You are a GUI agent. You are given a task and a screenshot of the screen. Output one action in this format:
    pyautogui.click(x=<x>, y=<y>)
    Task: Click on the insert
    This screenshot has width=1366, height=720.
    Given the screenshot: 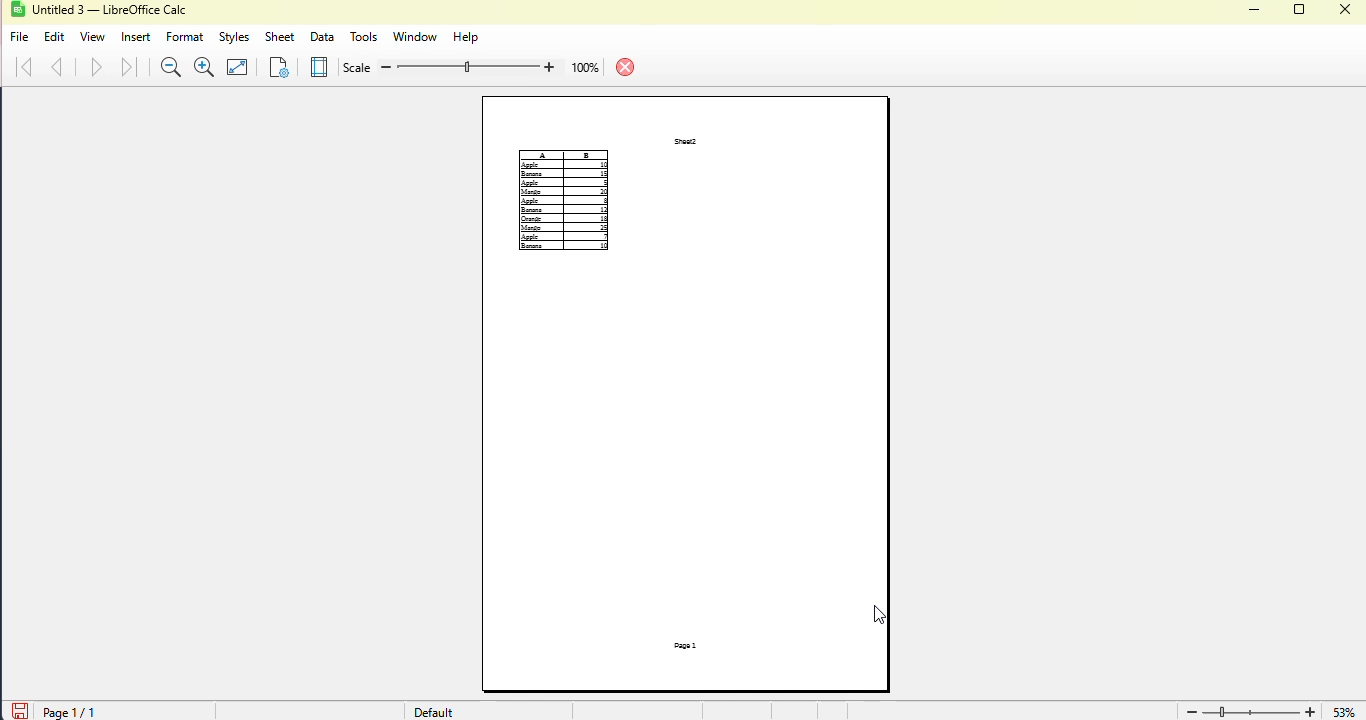 What is the action you would take?
    pyautogui.click(x=136, y=38)
    